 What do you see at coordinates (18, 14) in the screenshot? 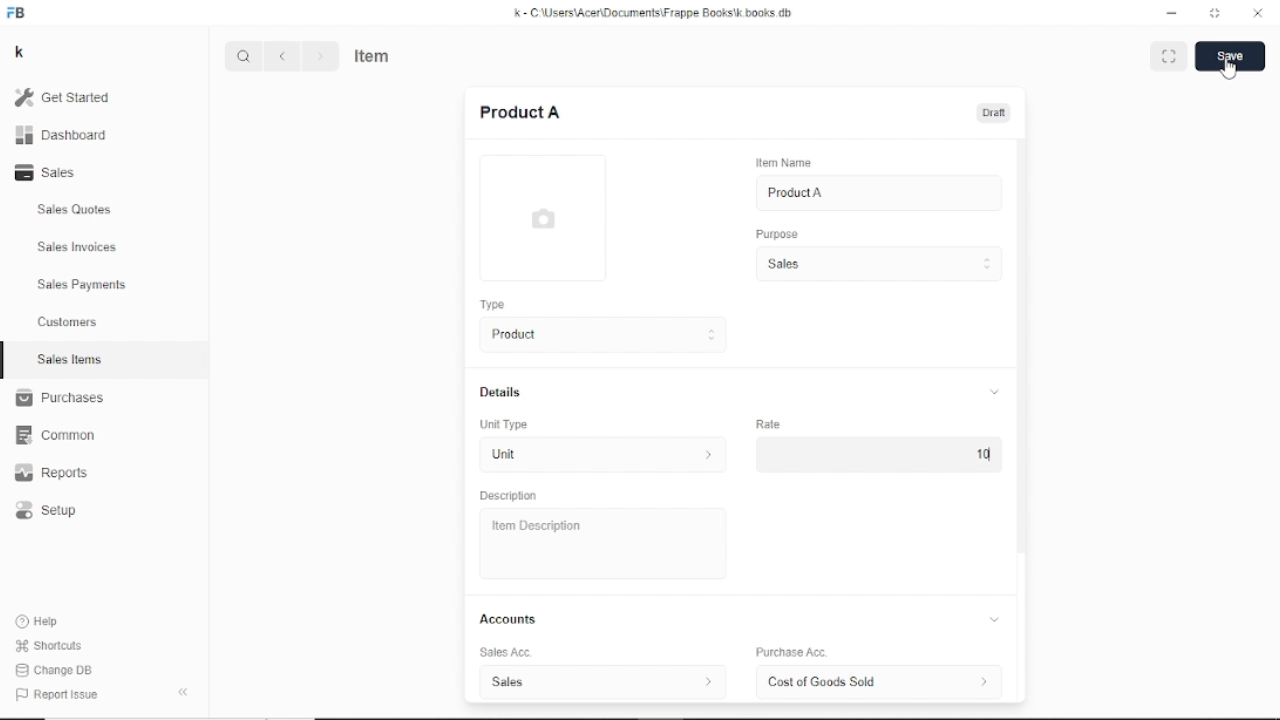
I see `FB` at bounding box center [18, 14].